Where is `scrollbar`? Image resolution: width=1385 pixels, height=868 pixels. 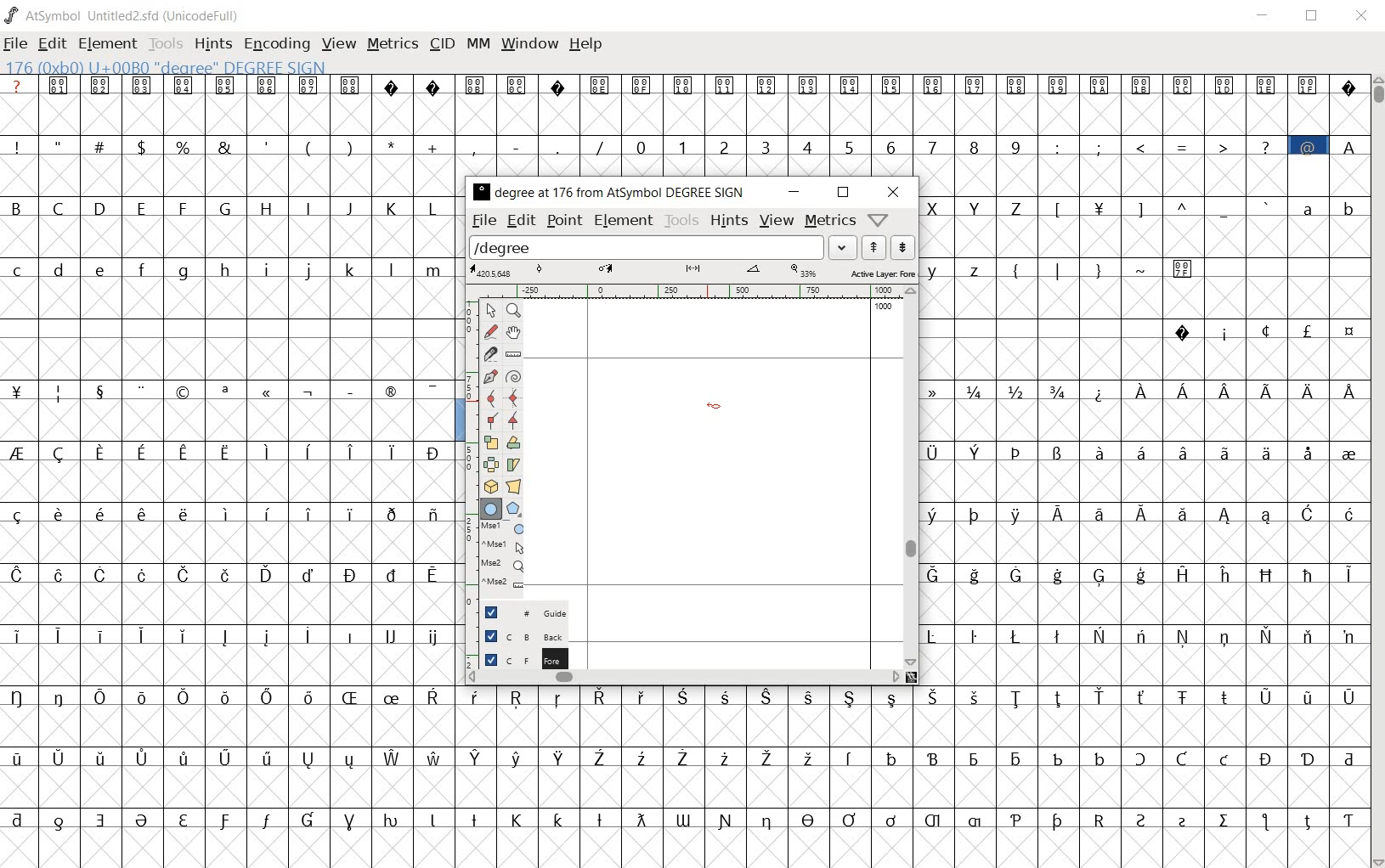 scrollbar is located at coordinates (683, 679).